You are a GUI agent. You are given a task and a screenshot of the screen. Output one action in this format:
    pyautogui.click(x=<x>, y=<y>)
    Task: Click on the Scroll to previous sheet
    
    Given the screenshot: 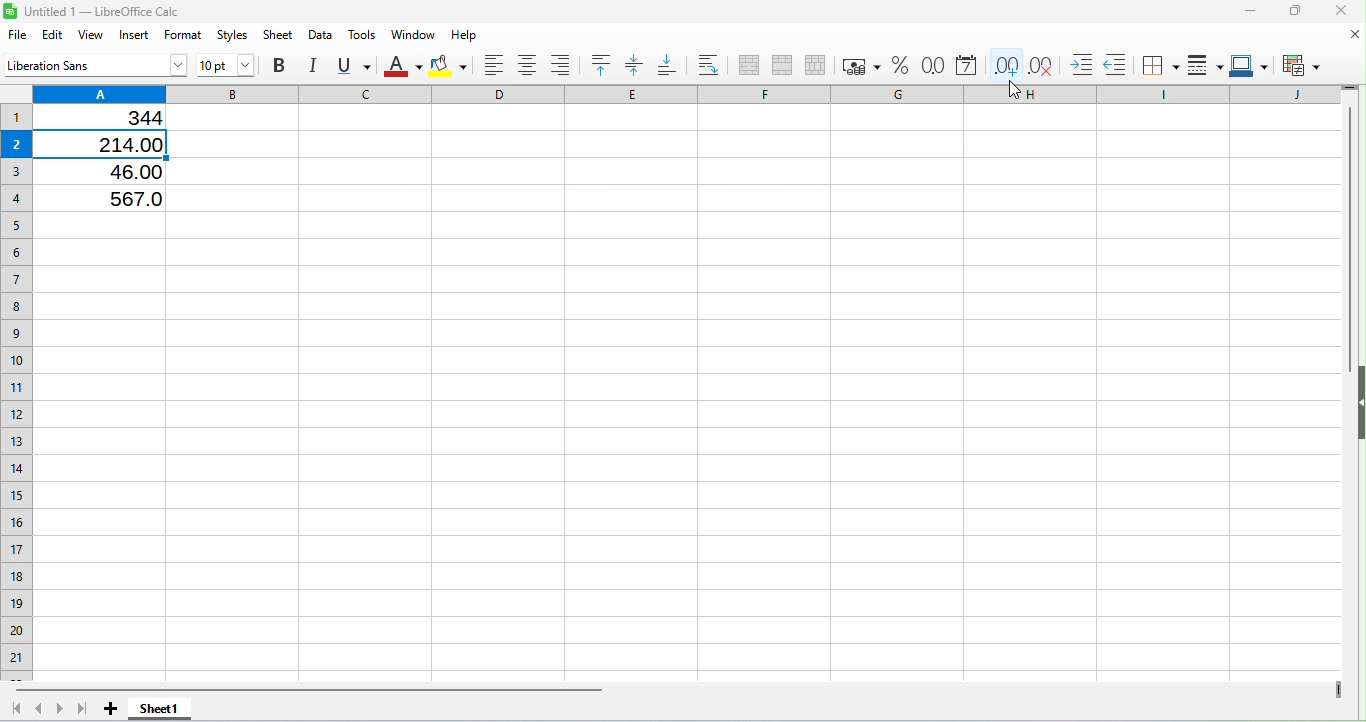 What is the action you would take?
    pyautogui.click(x=40, y=710)
    